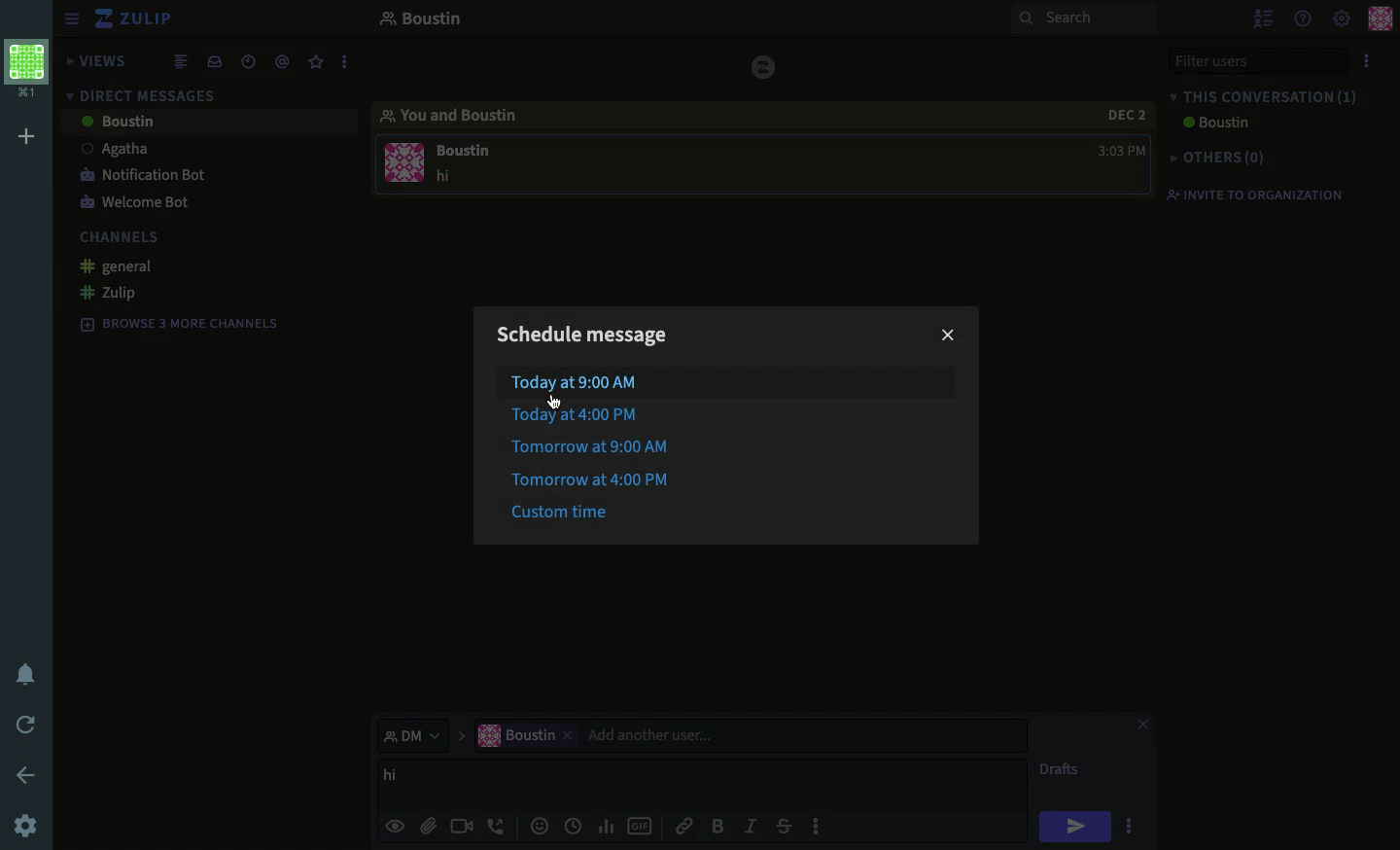 The height and width of the screenshot is (850, 1400). Describe the element at coordinates (949, 336) in the screenshot. I see `close` at that location.